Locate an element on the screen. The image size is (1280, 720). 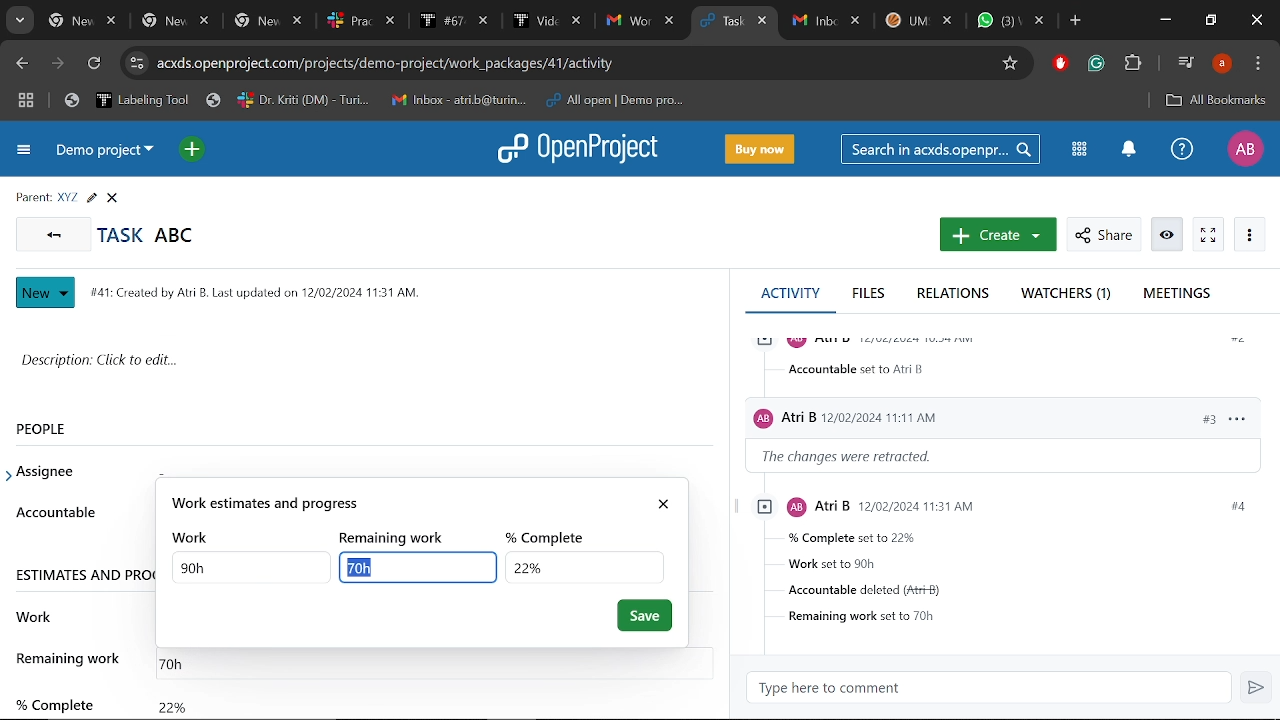
Expand project menu is located at coordinates (22, 152).